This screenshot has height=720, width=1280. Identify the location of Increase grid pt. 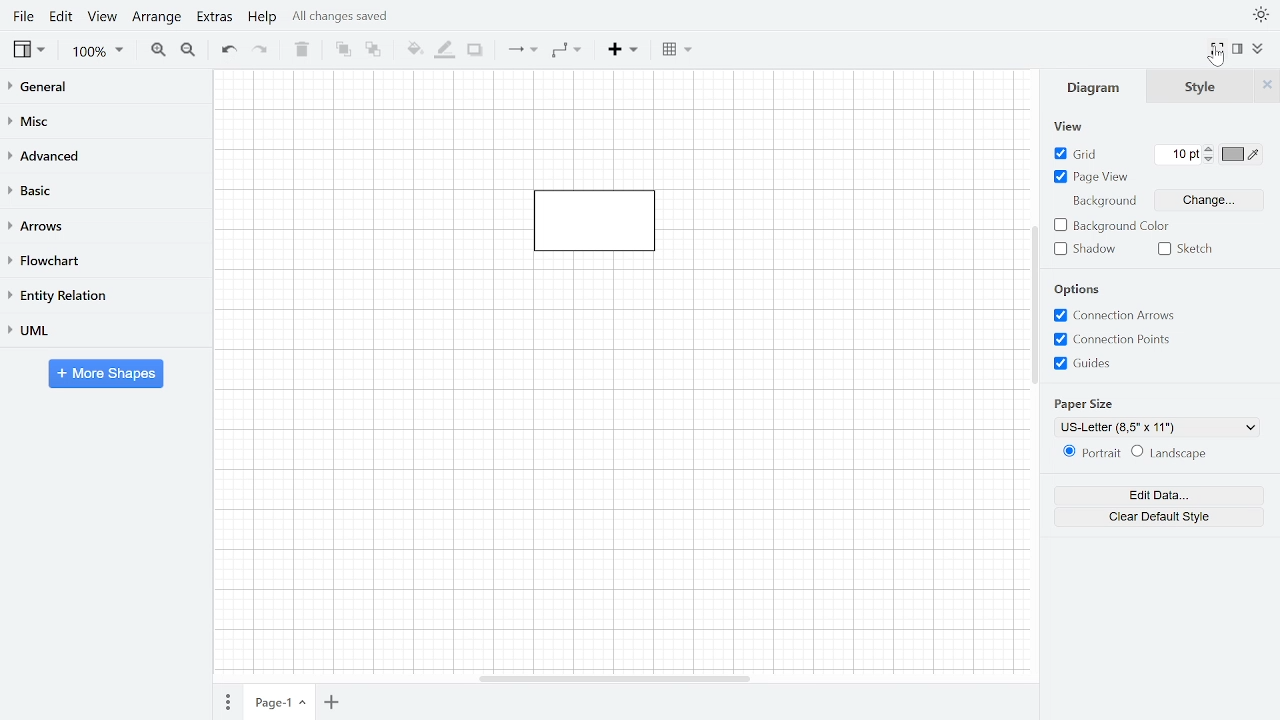
(1211, 148).